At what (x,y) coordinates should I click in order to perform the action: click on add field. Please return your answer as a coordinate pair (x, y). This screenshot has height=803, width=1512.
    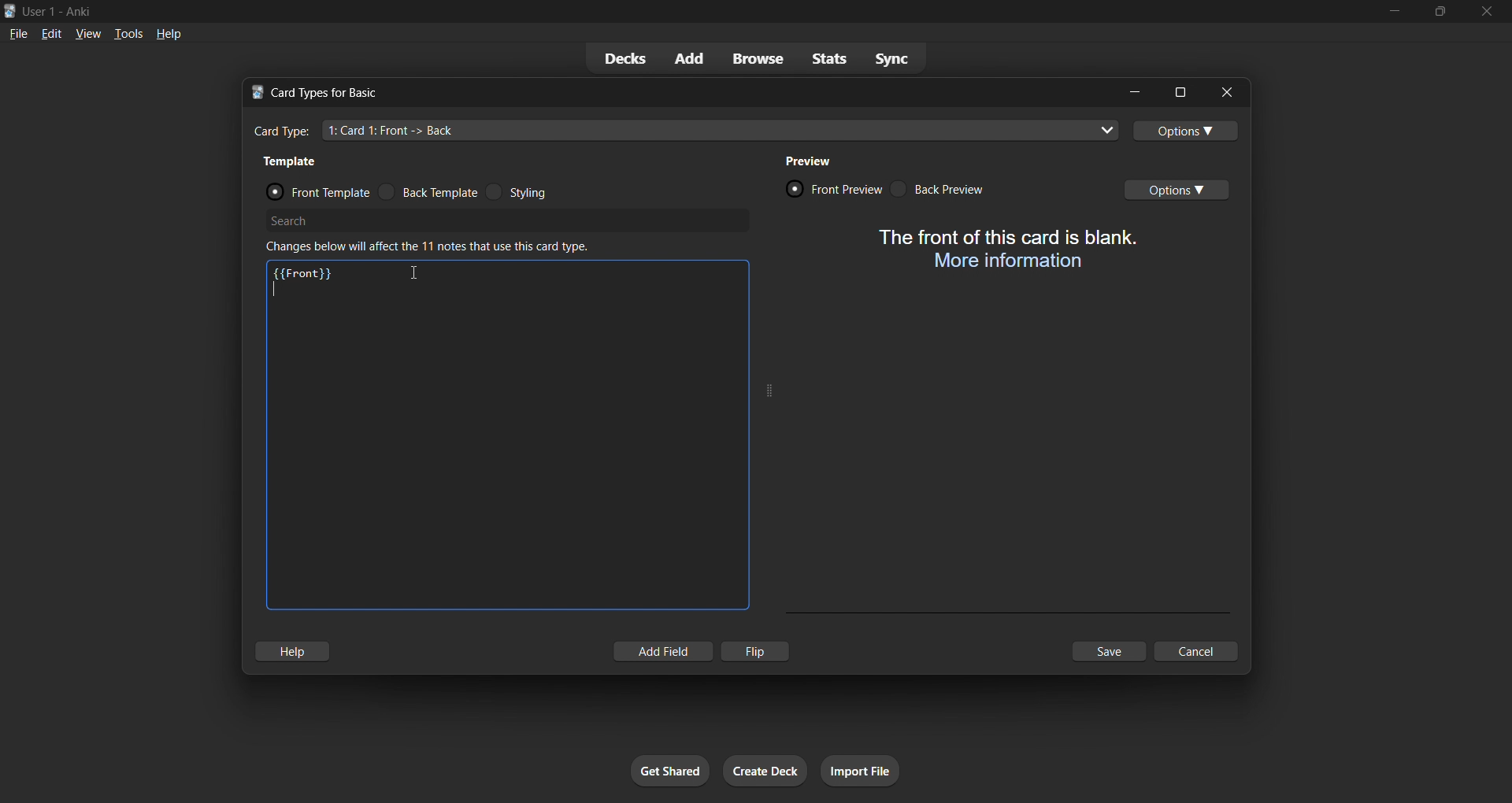
    Looking at the image, I should click on (661, 652).